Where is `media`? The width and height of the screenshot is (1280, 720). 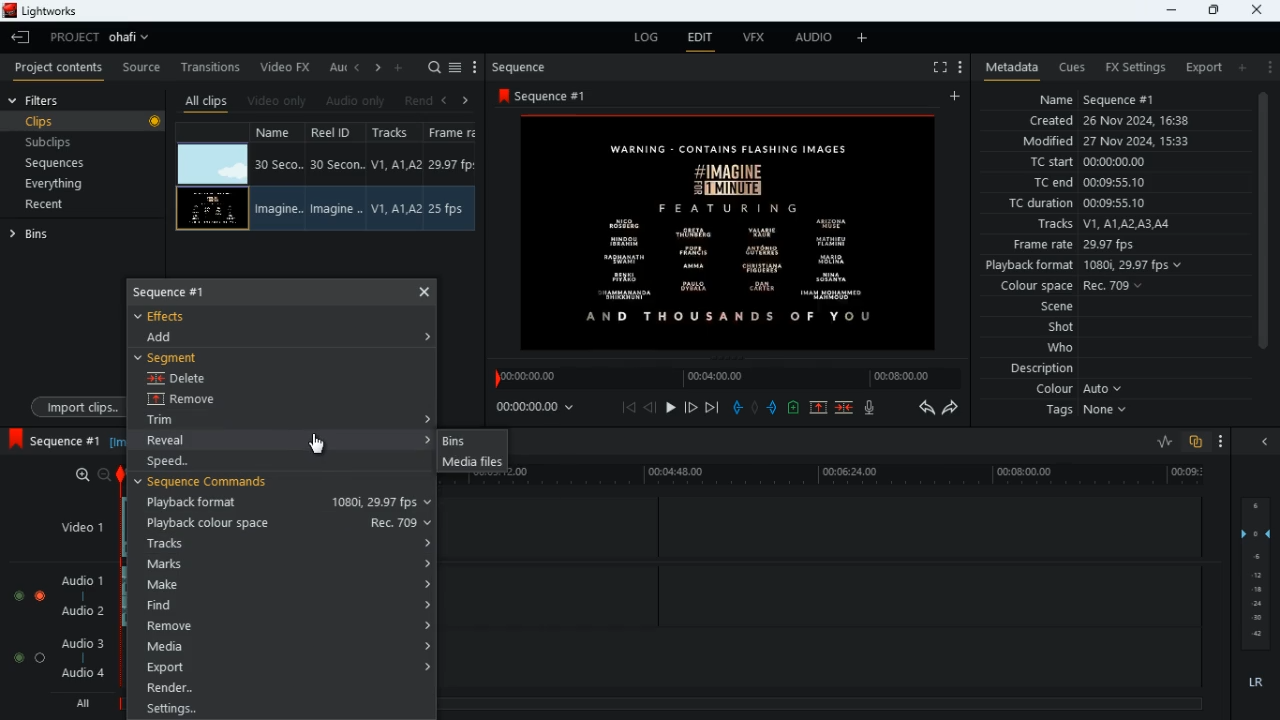 media is located at coordinates (285, 648).